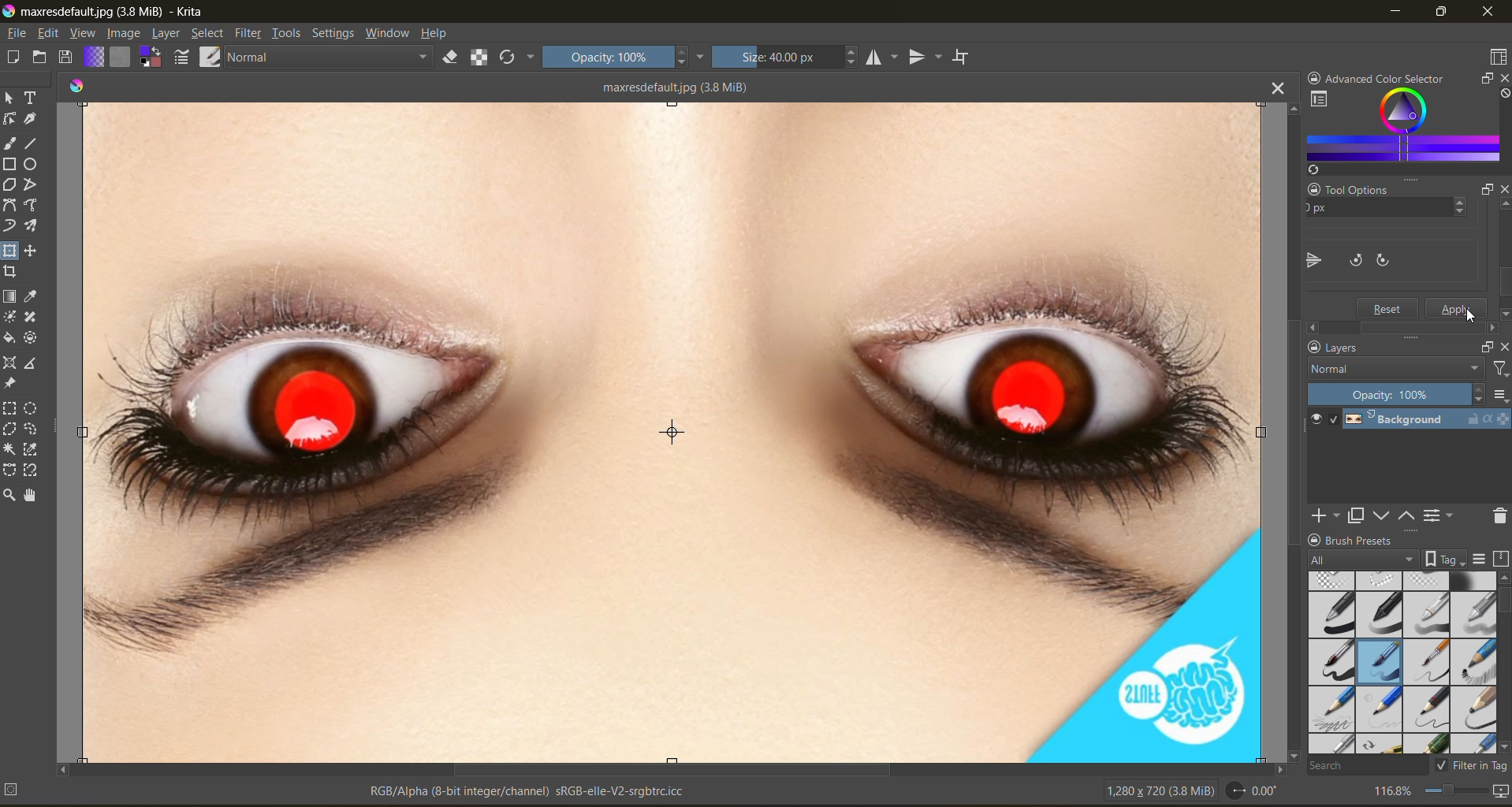 This screenshot has height=807, width=1512. I want to click on lock docker, so click(1315, 540).